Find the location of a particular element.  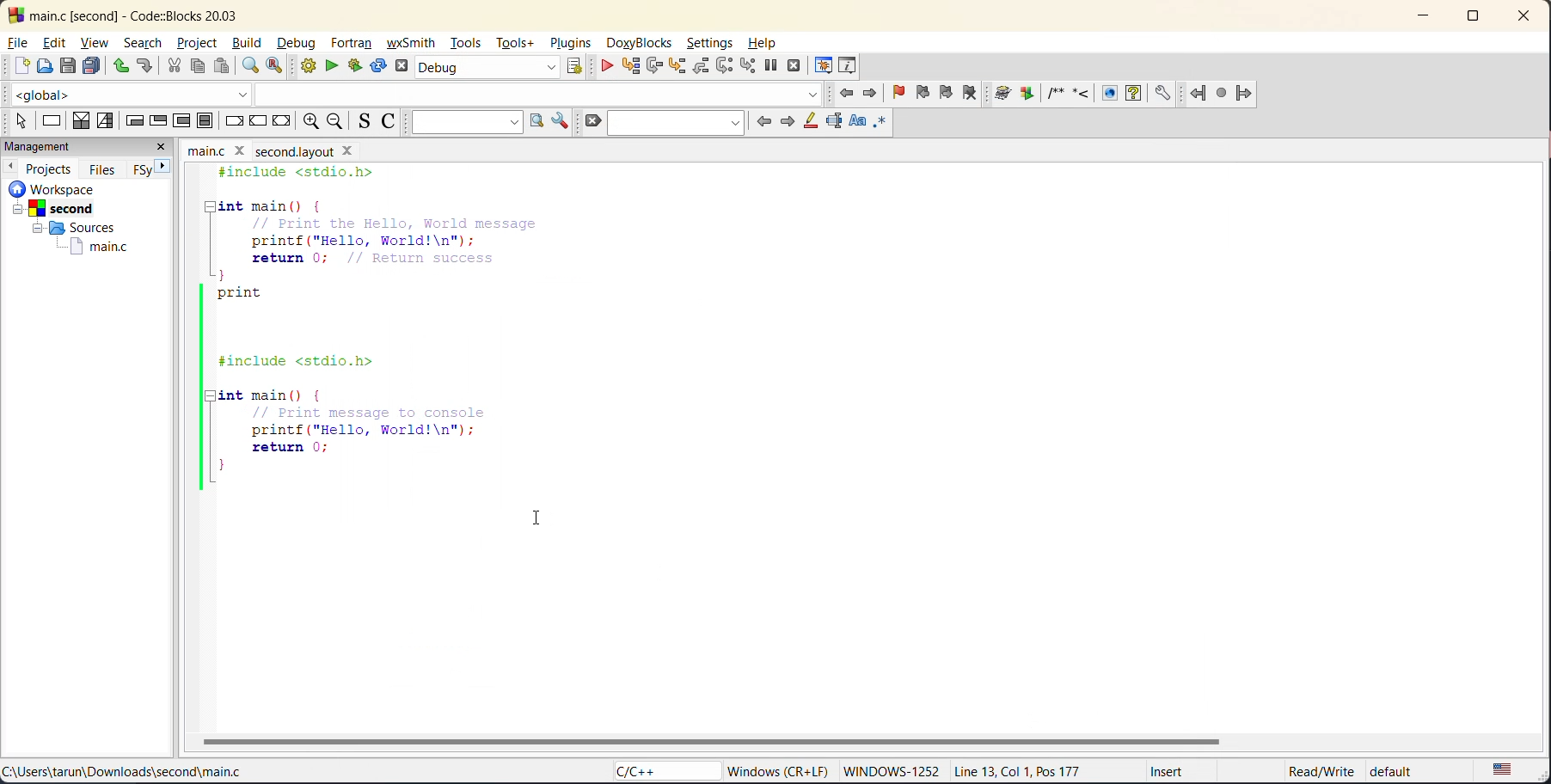

block instruction is located at coordinates (205, 121).